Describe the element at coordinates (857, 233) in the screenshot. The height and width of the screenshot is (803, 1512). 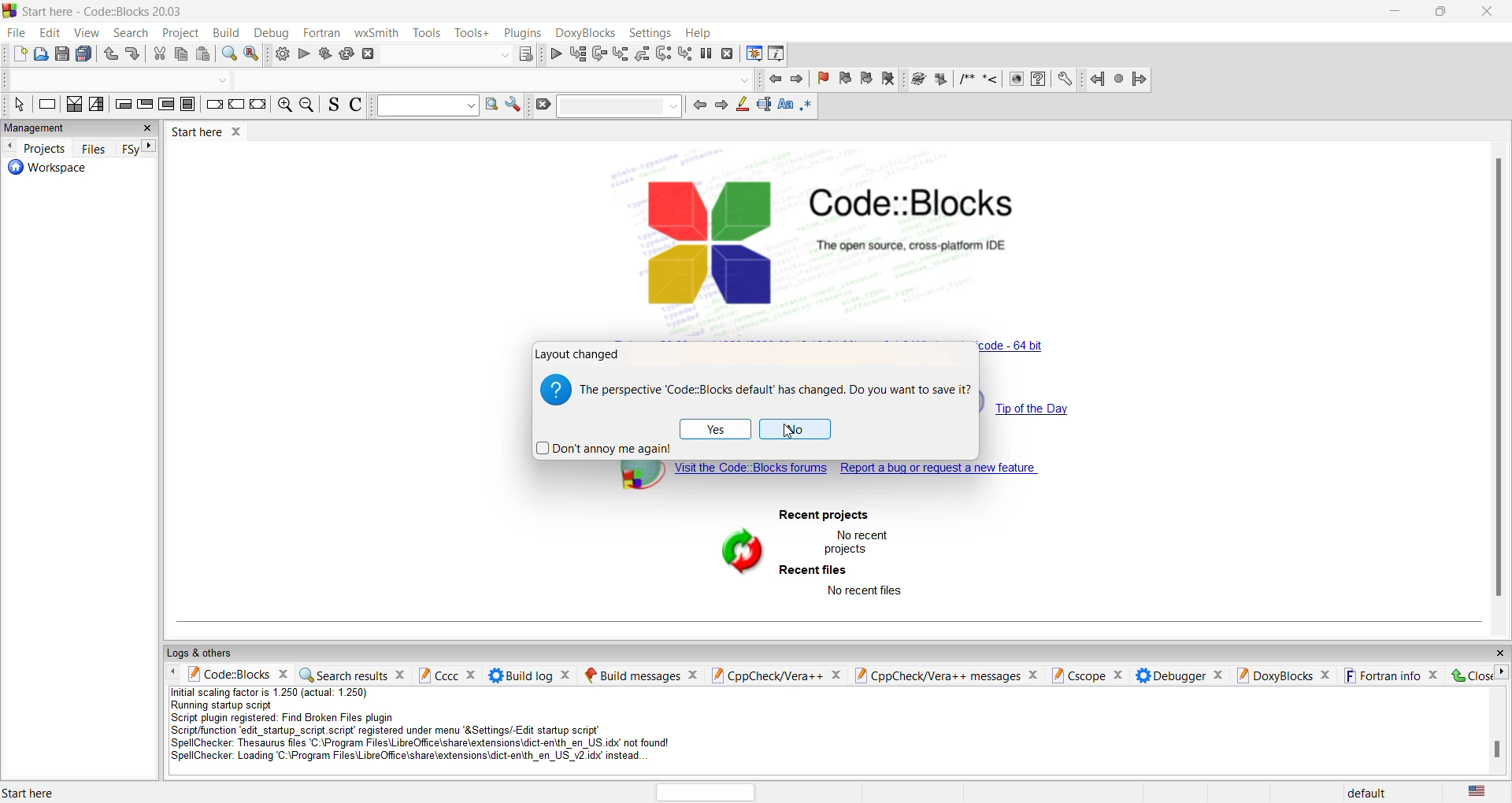
I see `code block logo` at that location.